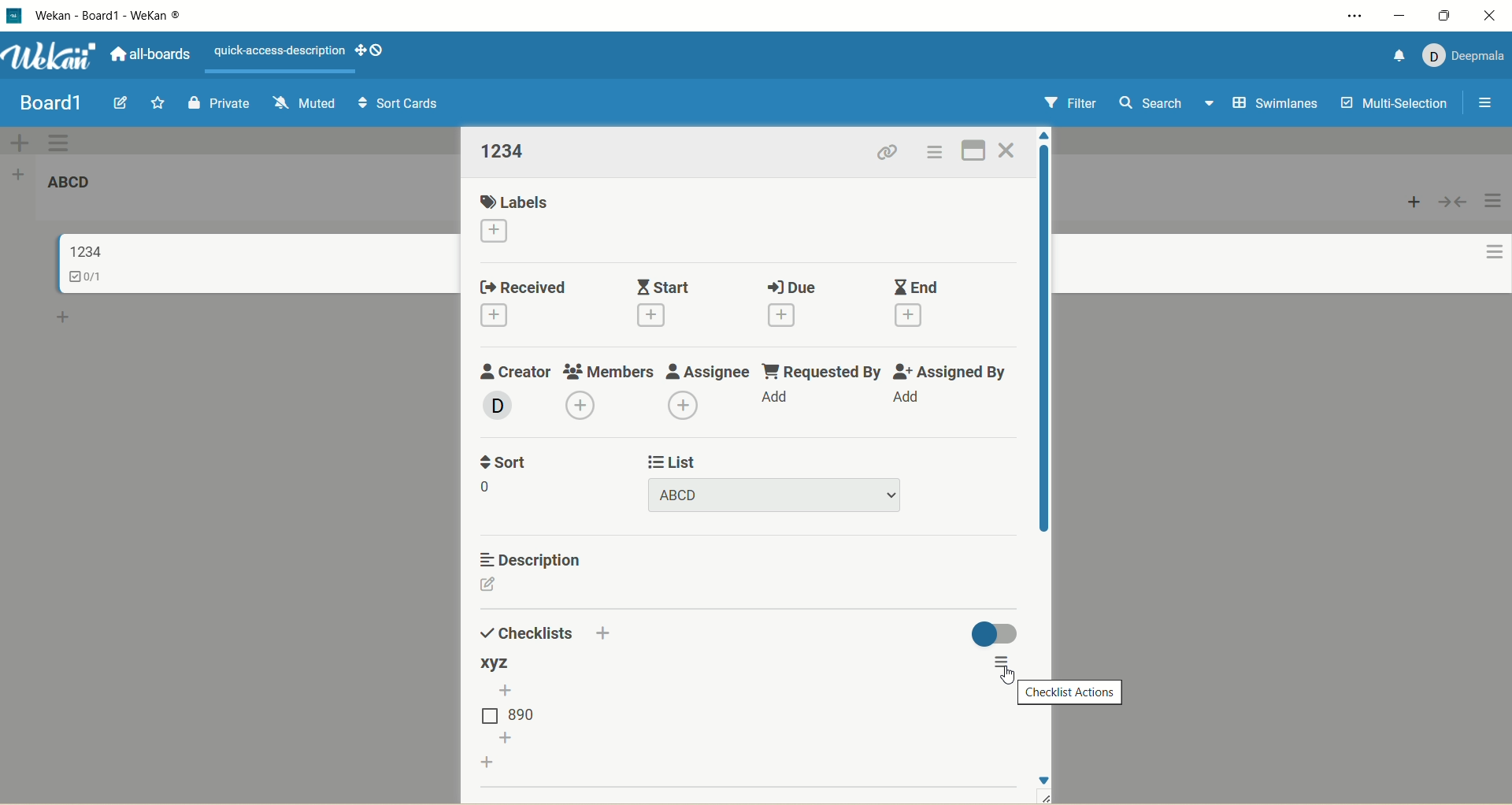 The image size is (1512, 805). I want to click on fullscreen, so click(975, 150).